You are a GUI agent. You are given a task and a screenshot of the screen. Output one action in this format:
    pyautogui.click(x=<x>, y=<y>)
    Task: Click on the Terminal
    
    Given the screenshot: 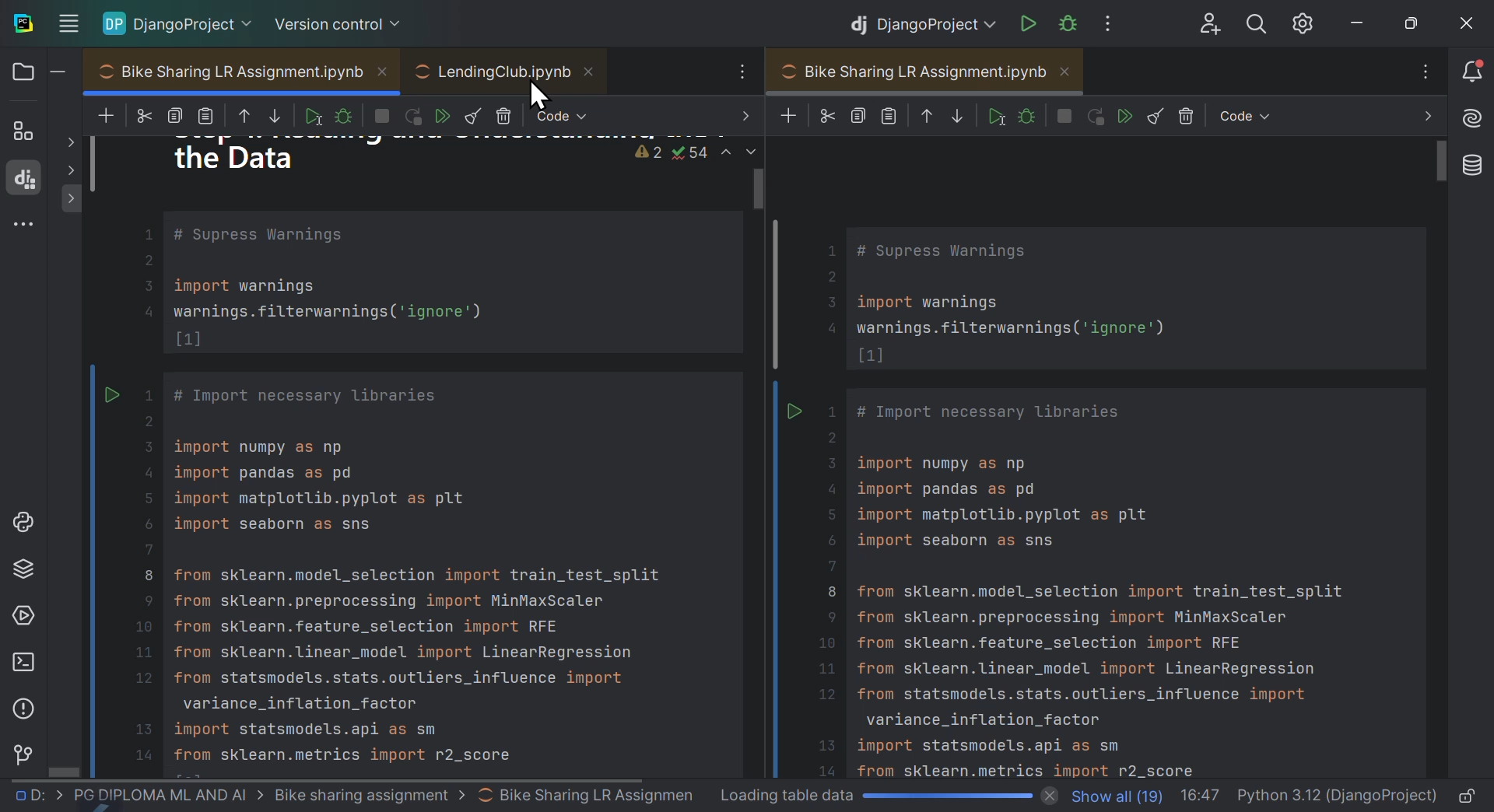 What is the action you would take?
    pyautogui.click(x=22, y=665)
    